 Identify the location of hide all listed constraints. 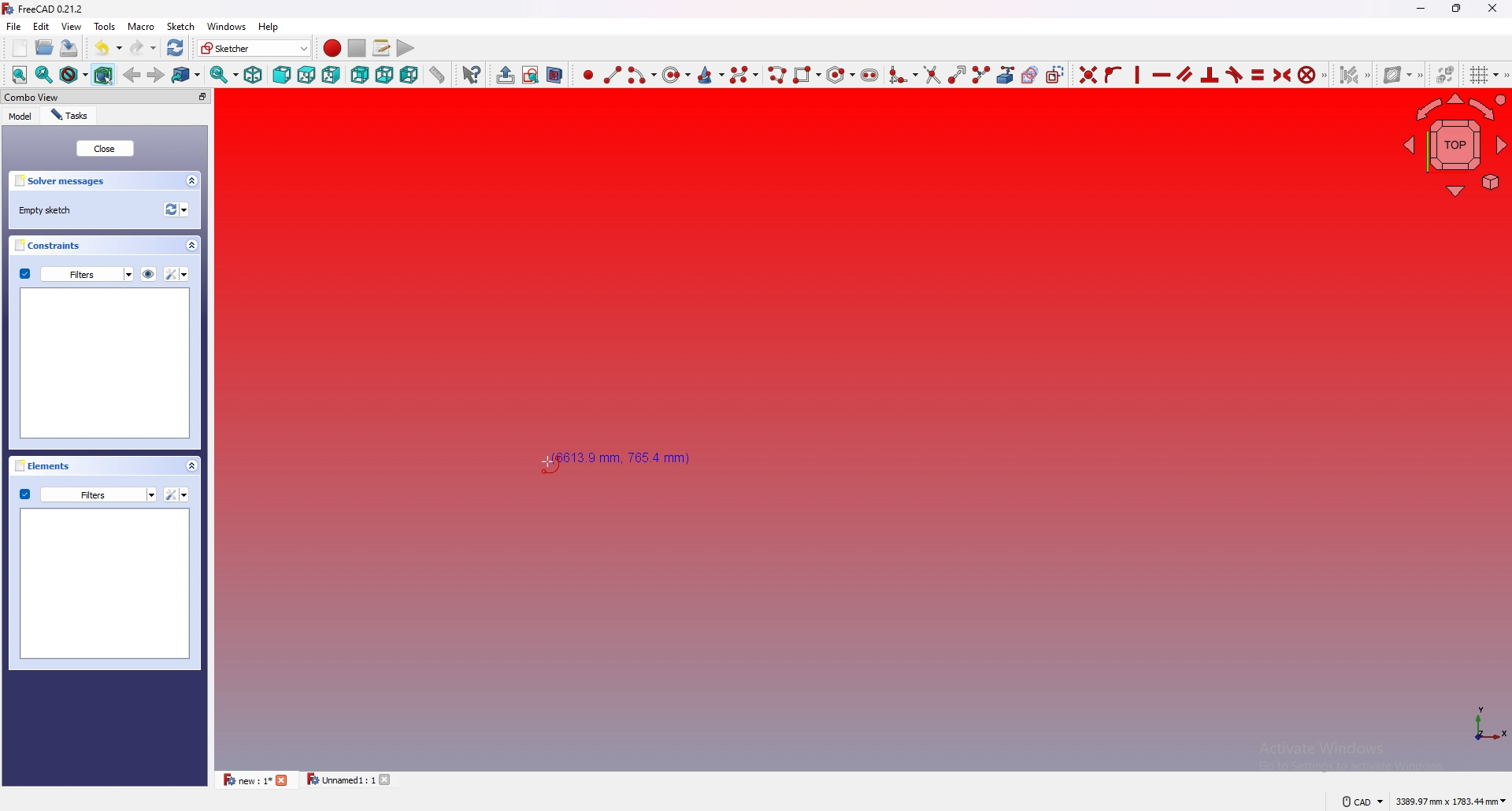
(149, 273).